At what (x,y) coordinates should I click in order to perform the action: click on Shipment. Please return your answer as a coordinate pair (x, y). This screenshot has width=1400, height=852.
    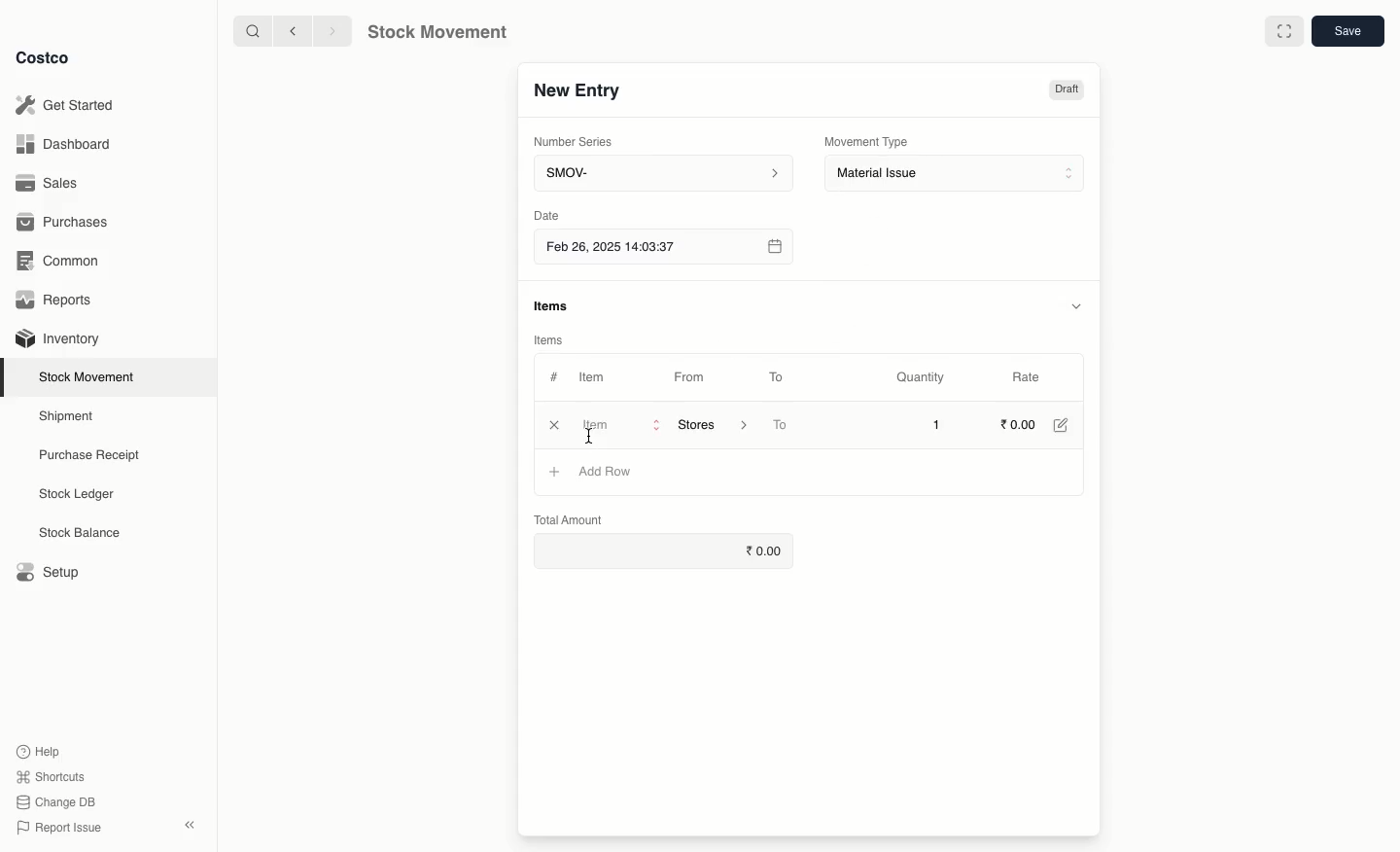
    Looking at the image, I should click on (67, 417).